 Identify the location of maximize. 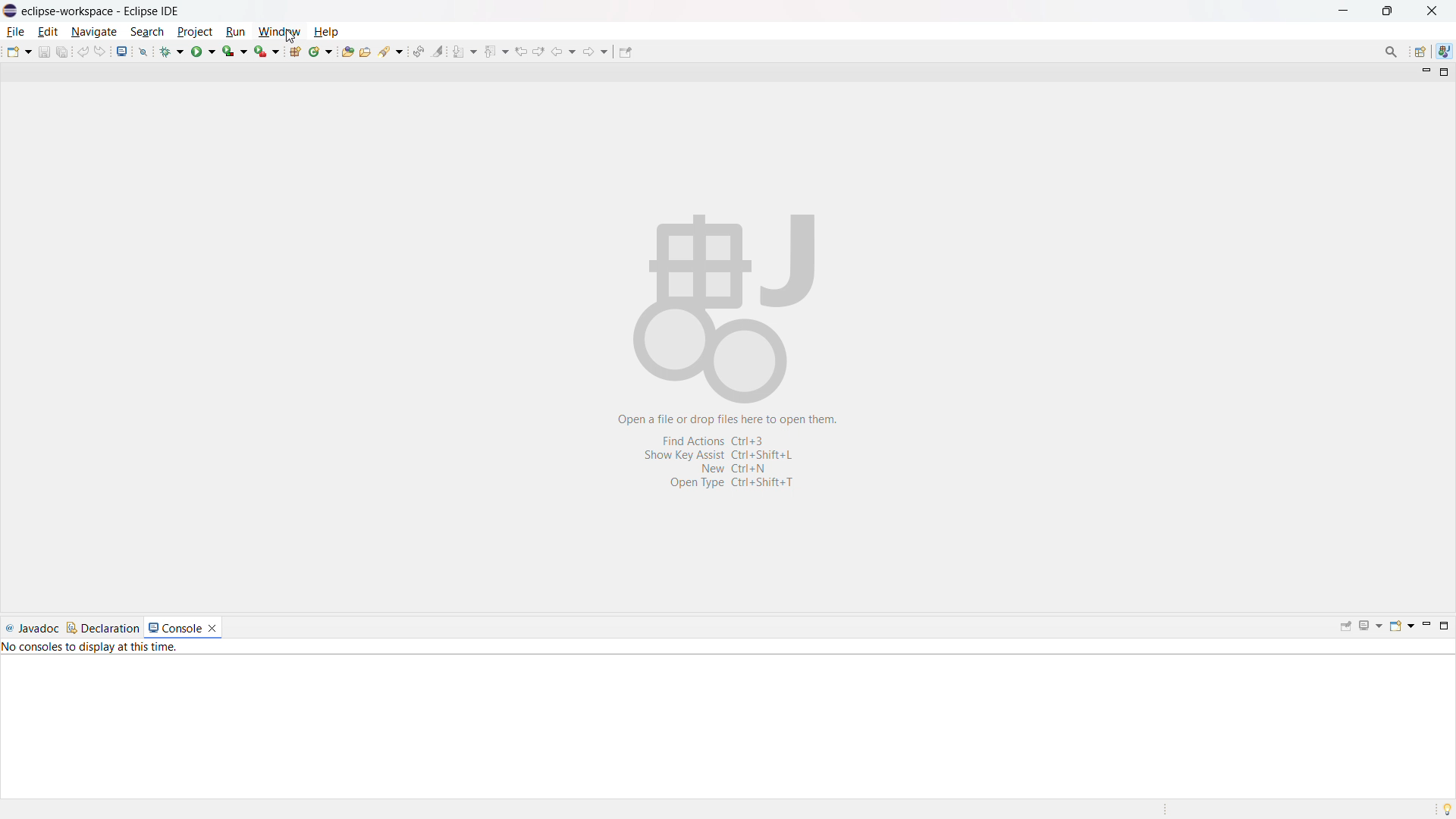
(1445, 73).